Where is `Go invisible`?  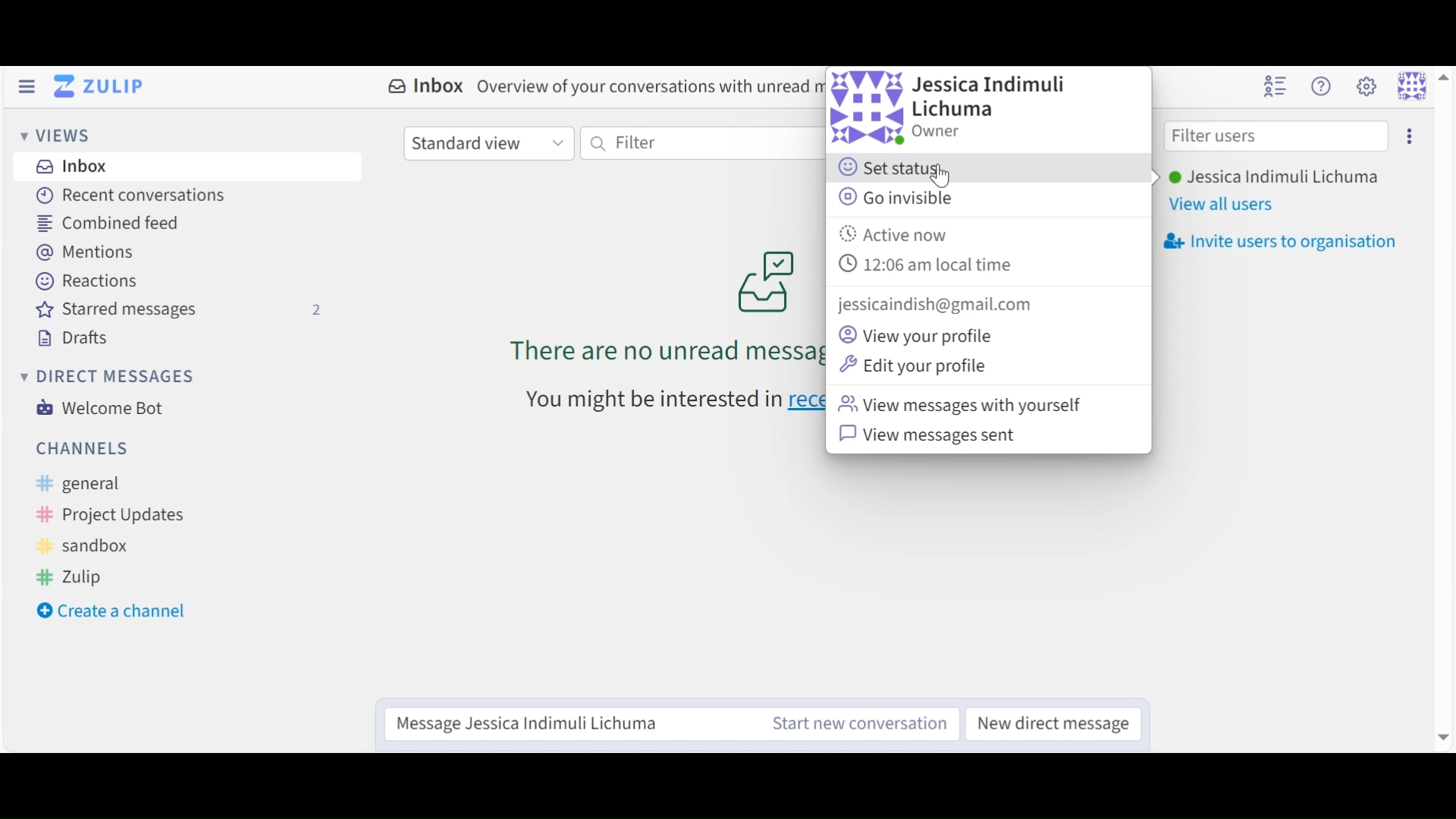
Go invisible is located at coordinates (896, 196).